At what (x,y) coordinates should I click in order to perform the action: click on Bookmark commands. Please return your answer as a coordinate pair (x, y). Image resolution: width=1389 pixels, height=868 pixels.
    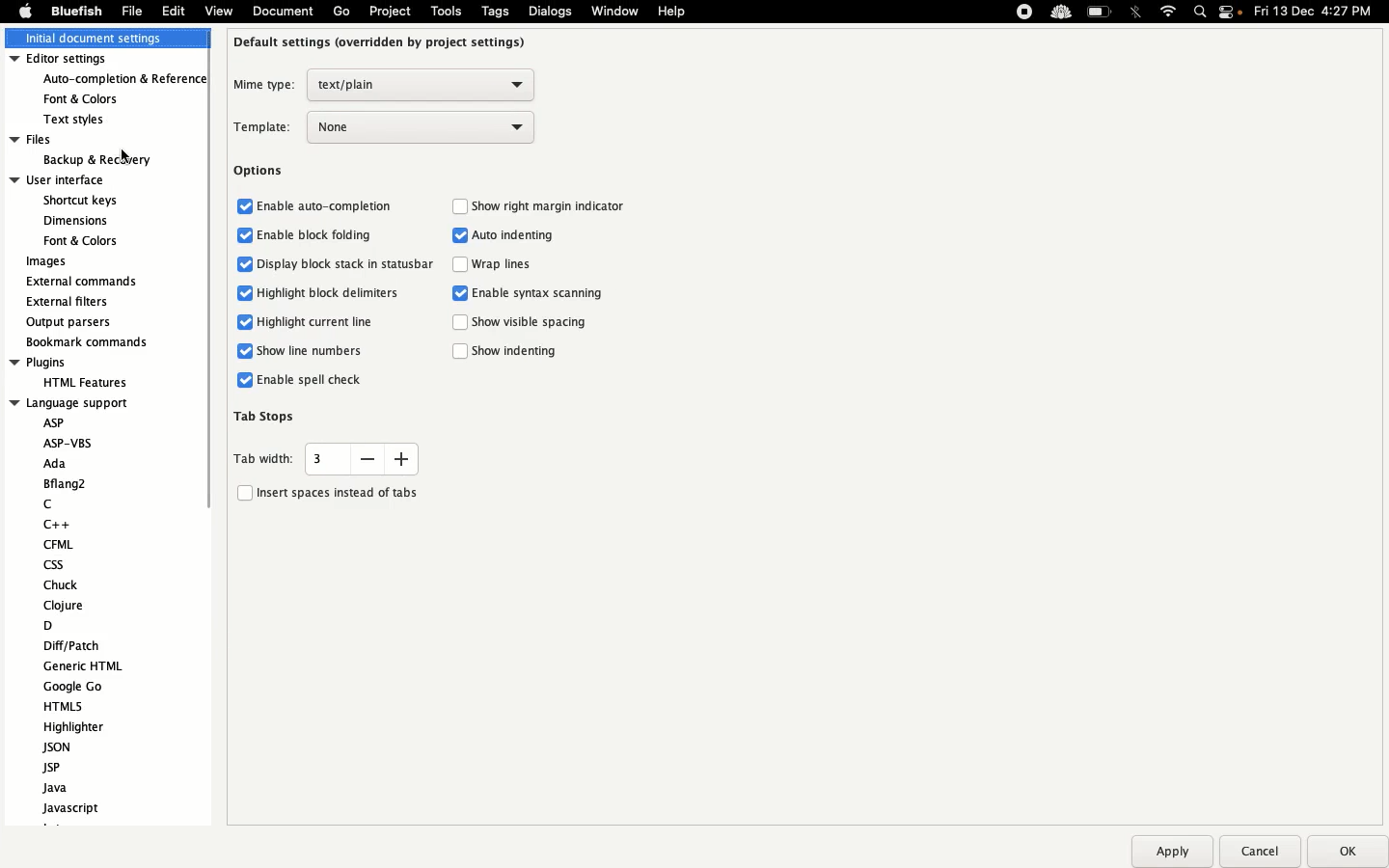
    Looking at the image, I should click on (104, 343).